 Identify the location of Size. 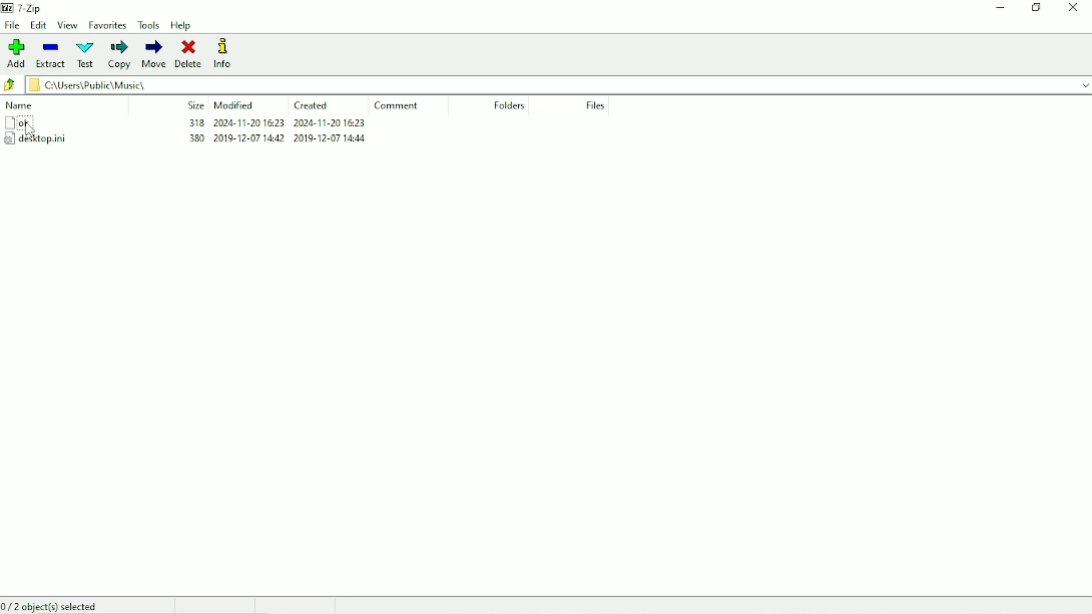
(196, 106).